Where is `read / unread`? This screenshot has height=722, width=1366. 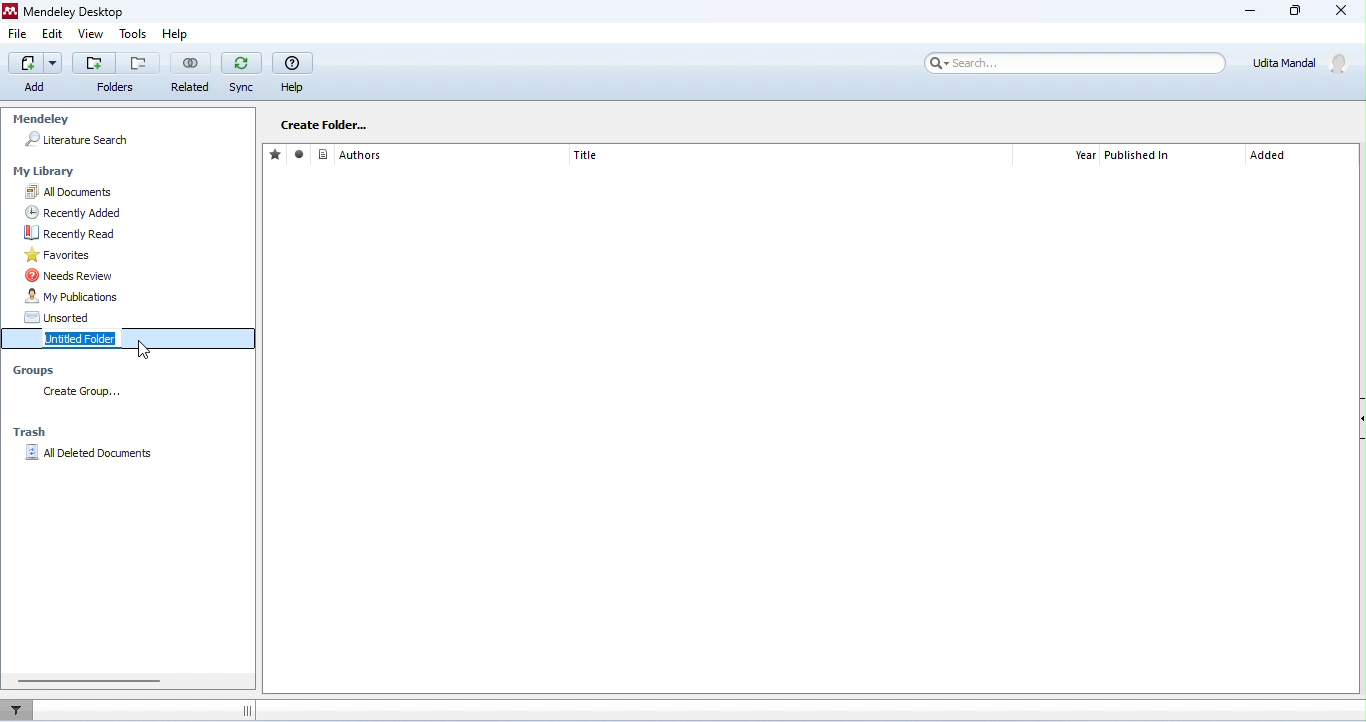
read / unread is located at coordinates (302, 155).